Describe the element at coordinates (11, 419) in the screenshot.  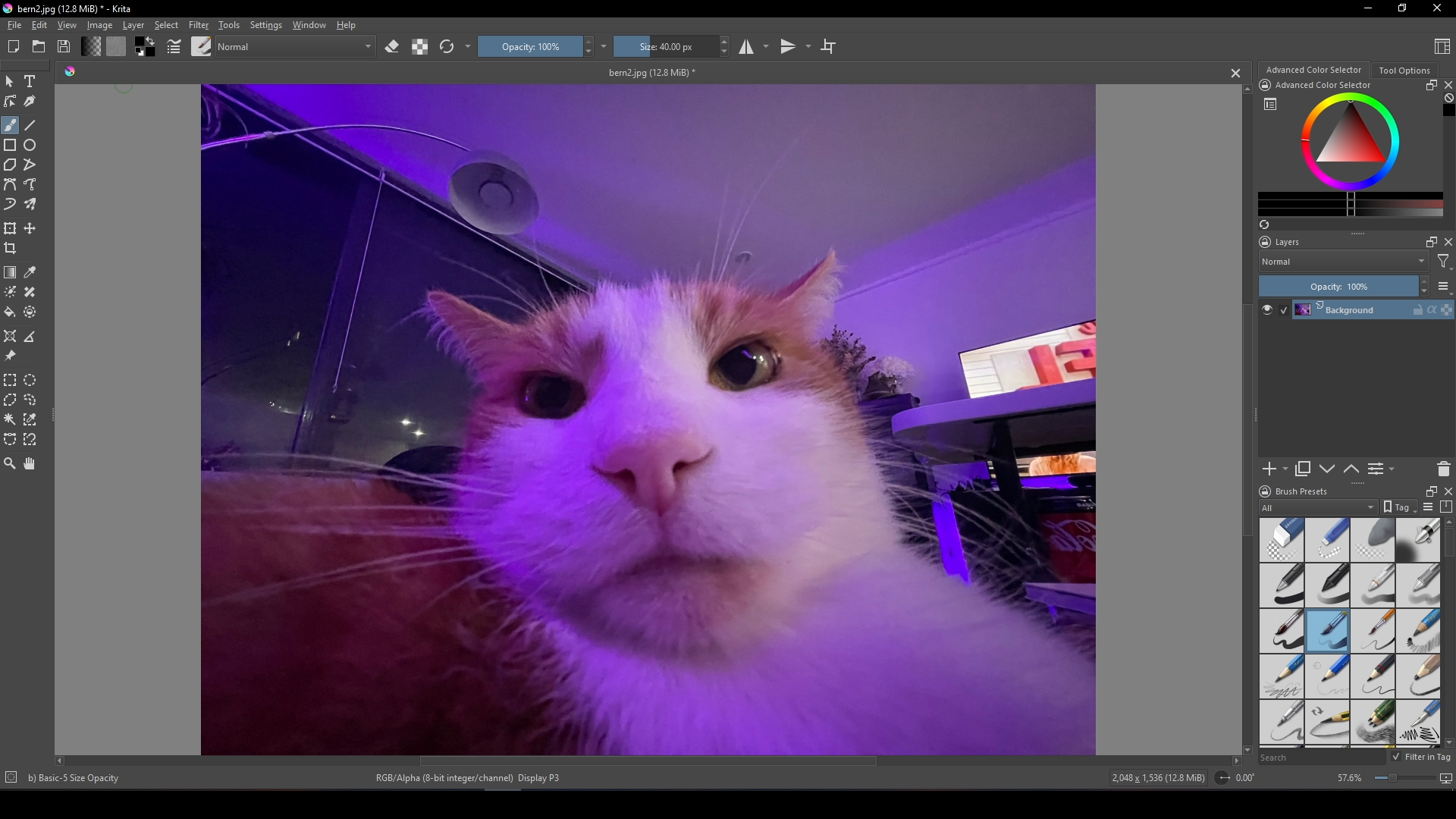
I see `Contiguous selection tool` at that location.